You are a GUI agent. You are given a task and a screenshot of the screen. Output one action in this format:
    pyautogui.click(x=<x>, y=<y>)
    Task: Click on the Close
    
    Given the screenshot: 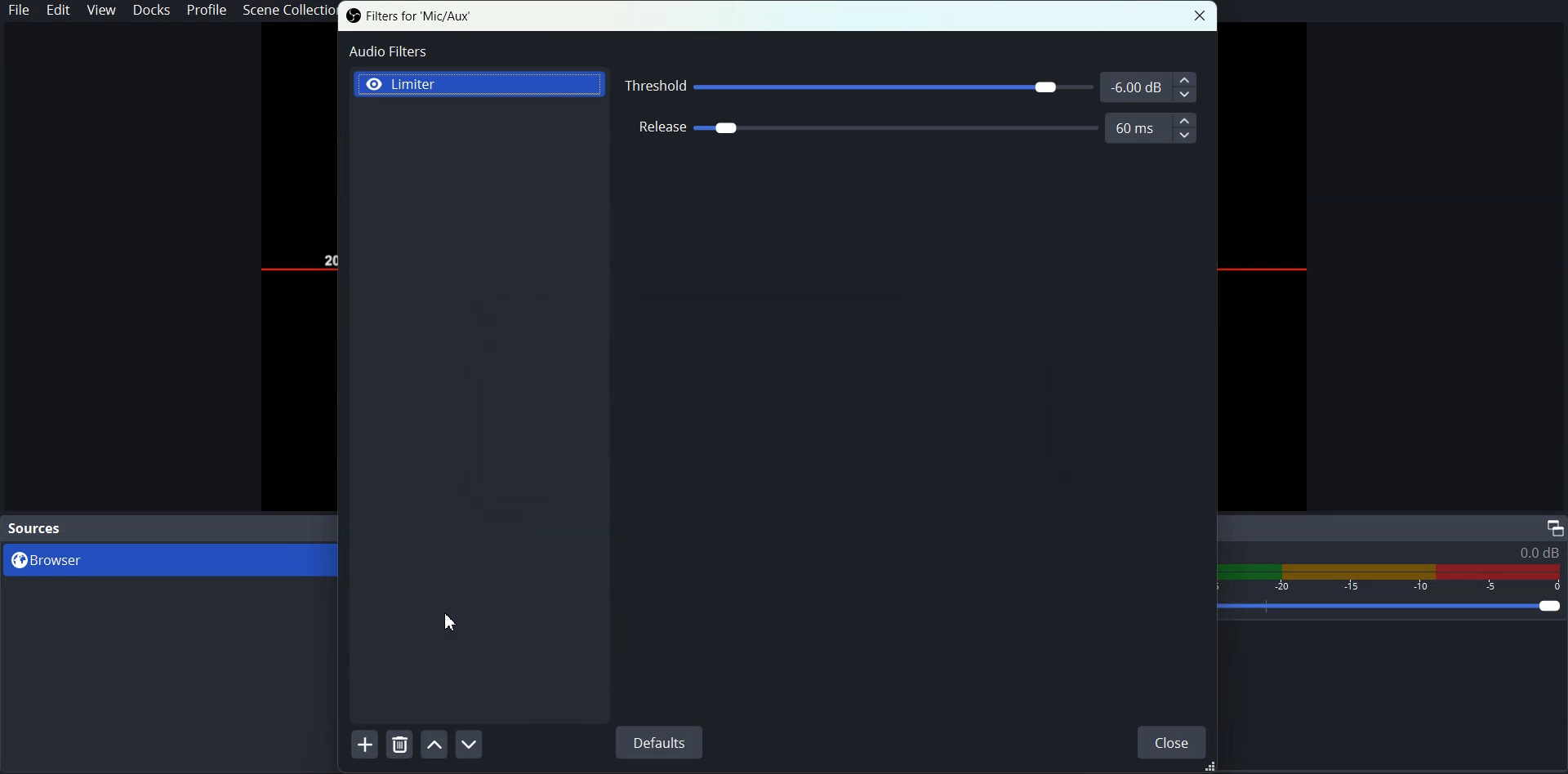 What is the action you would take?
    pyautogui.click(x=1172, y=741)
    